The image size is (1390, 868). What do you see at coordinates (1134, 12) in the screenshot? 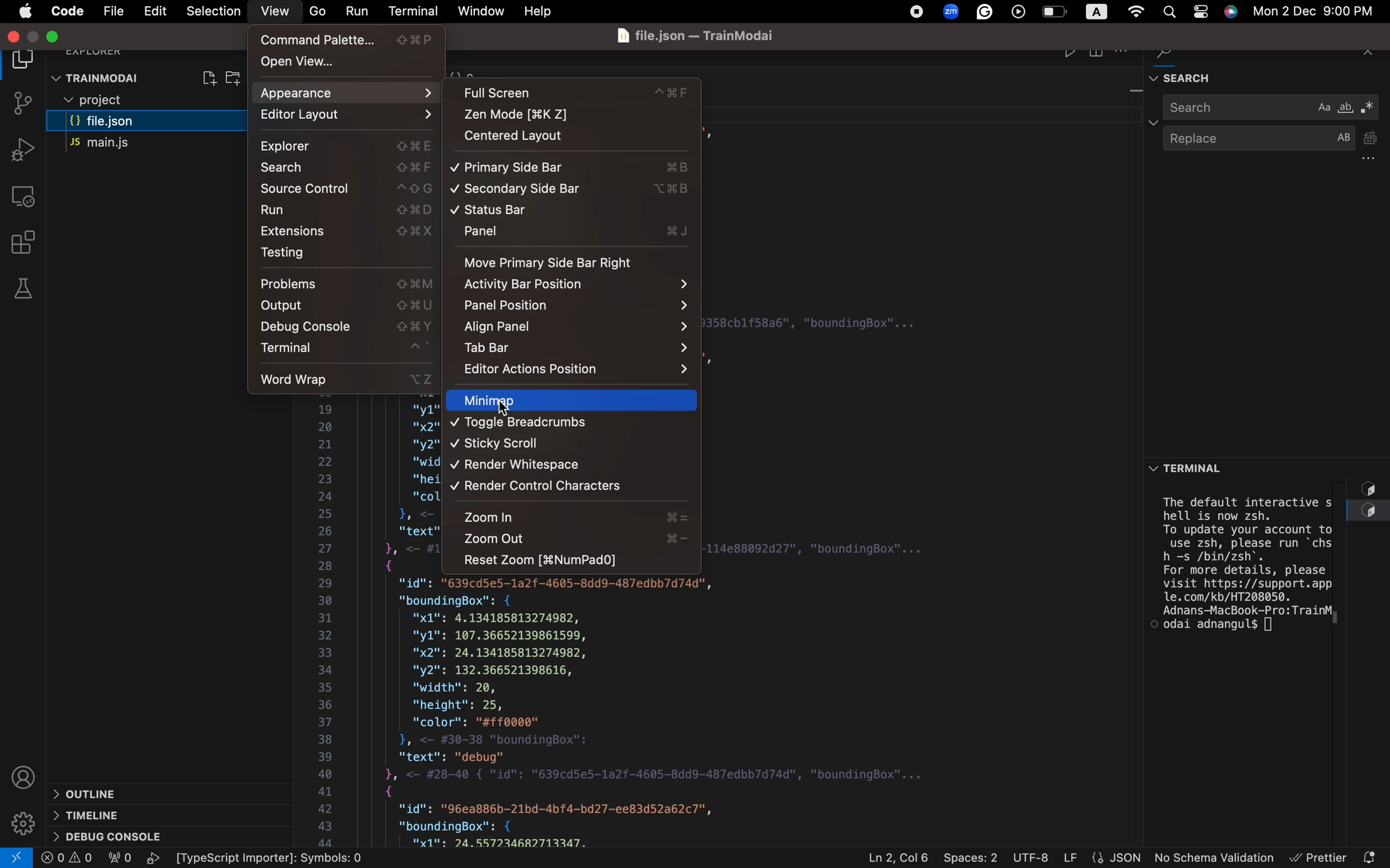
I see `global settings` at bounding box center [1134, 12].